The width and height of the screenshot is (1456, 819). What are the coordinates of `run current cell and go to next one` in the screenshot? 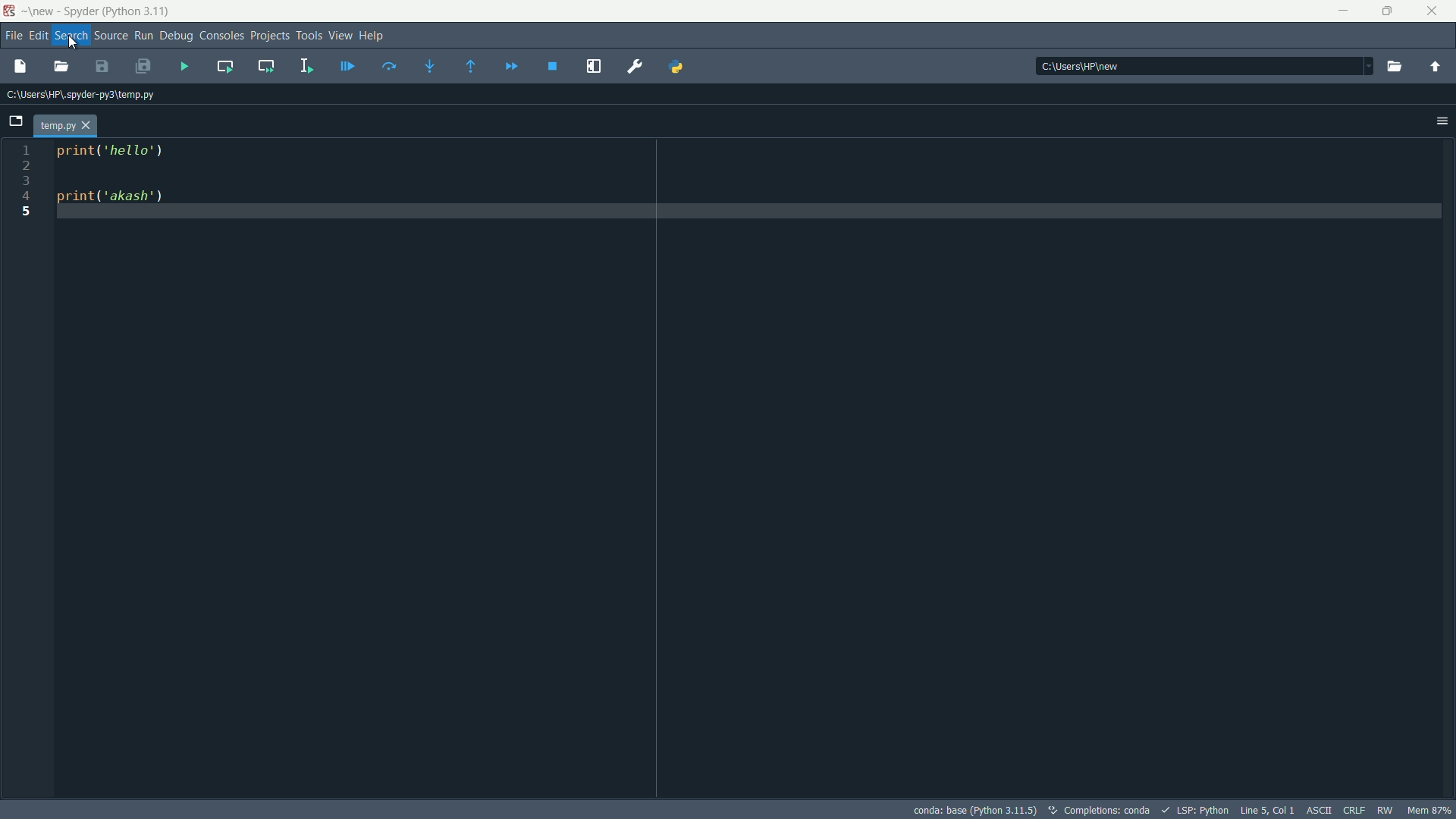 It's located at (265, 66).